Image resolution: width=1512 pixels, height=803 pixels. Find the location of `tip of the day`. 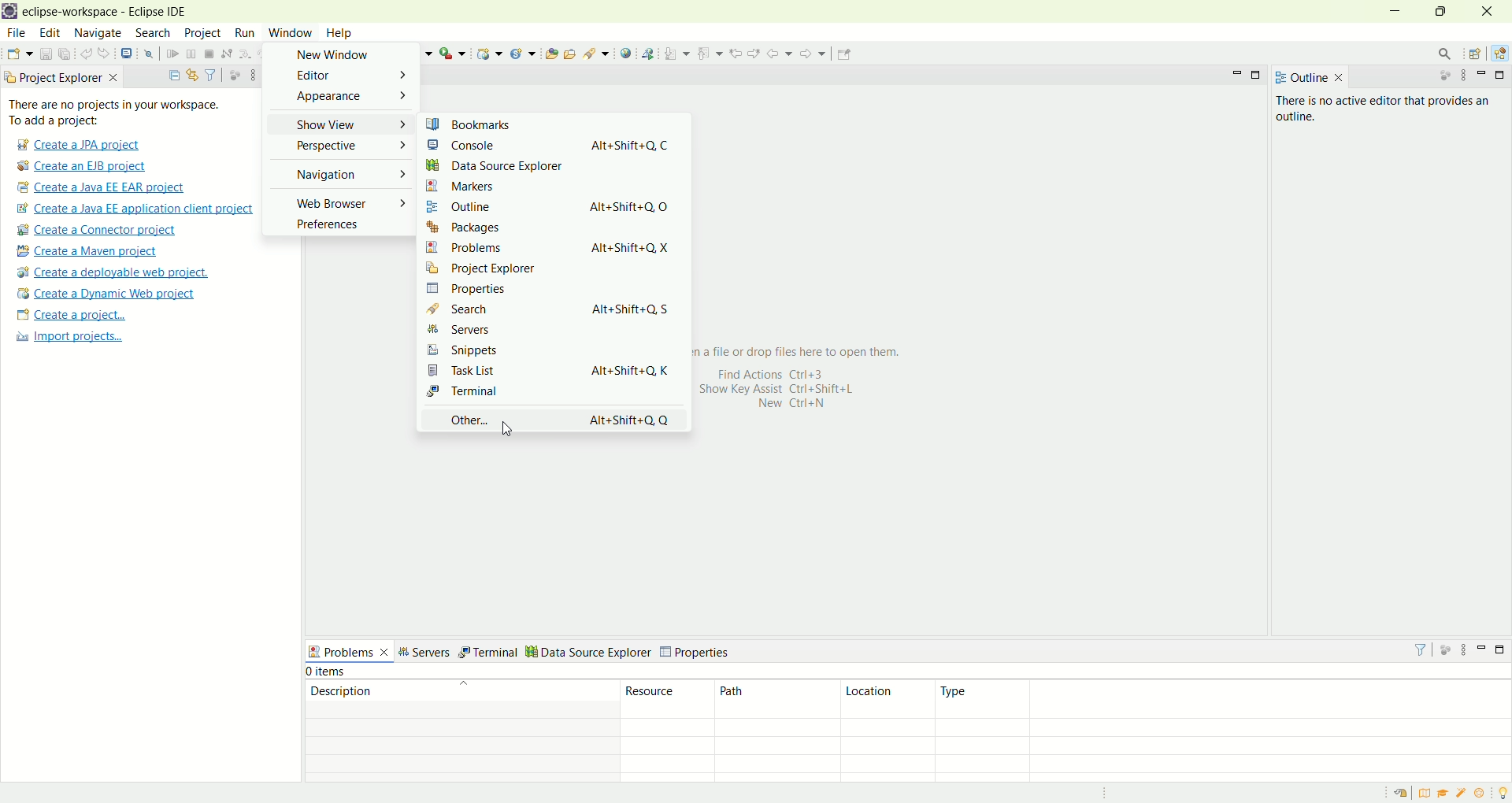

tip of the day is located at coordinates (1502, 794).